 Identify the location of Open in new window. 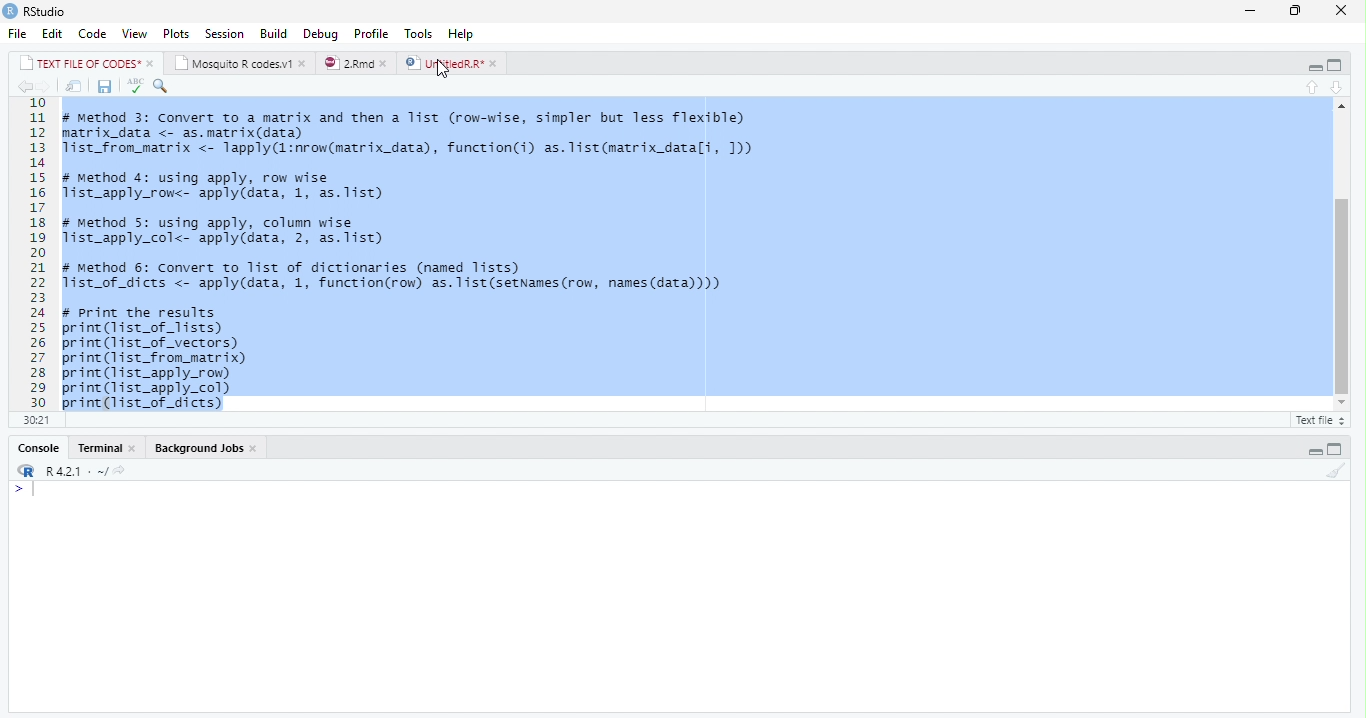
(74, 86).